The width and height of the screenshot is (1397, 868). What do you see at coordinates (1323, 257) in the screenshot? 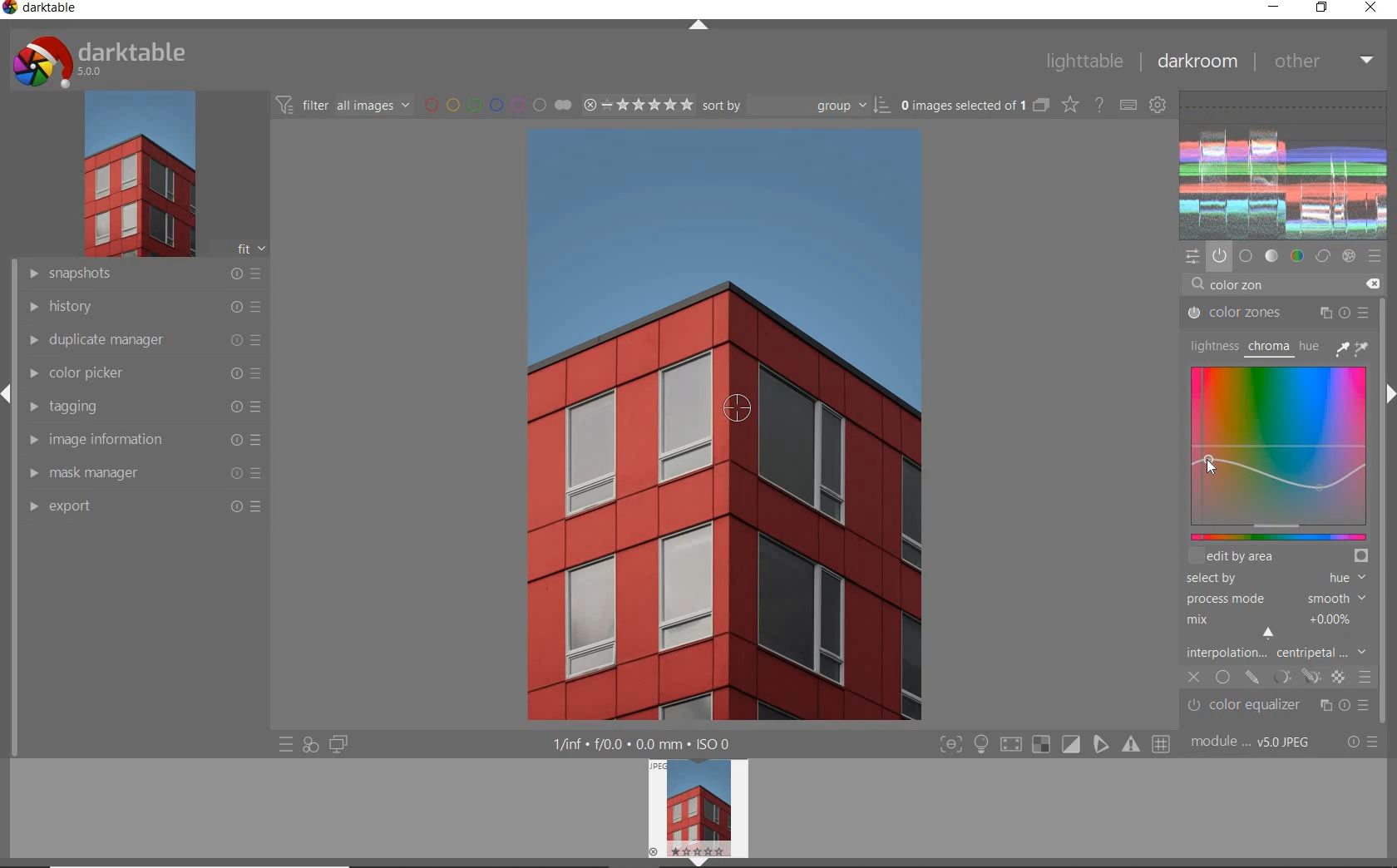
I see `correct` at bounding box center [1323, 257].